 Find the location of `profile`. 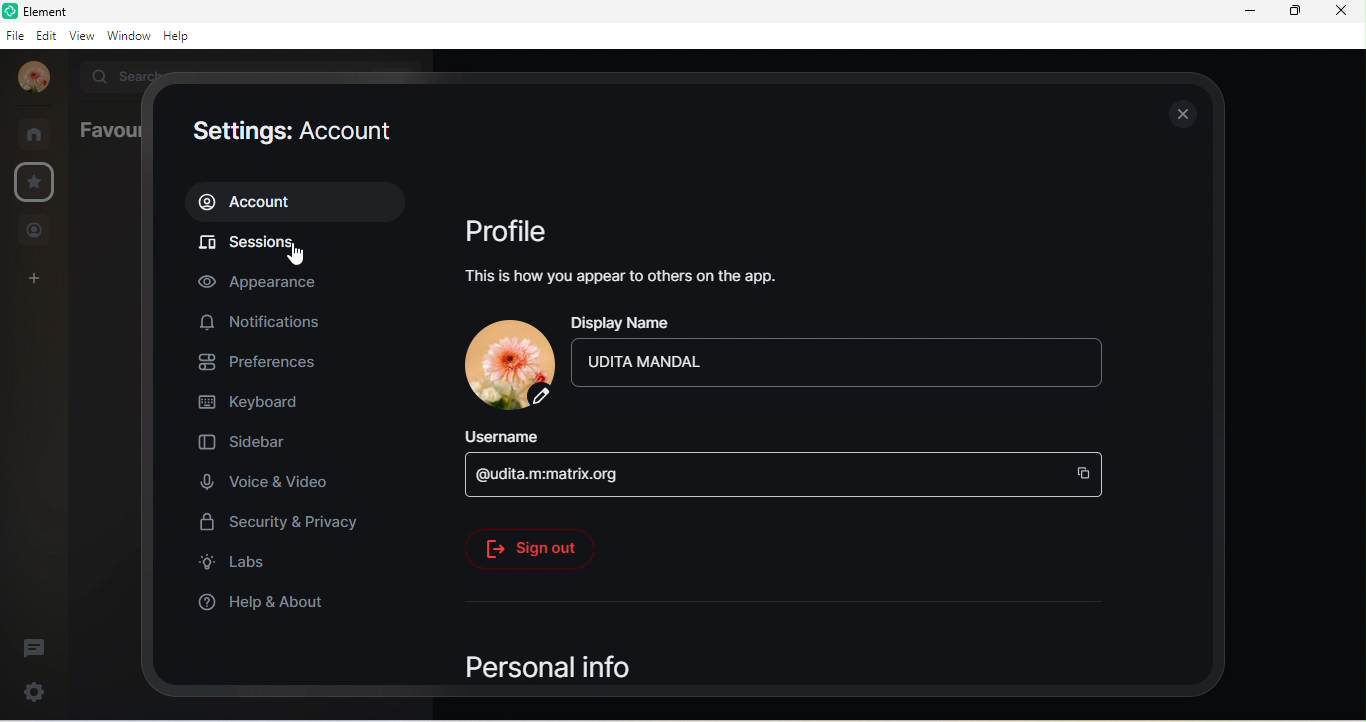

profile is located at coordinates (510, 233).